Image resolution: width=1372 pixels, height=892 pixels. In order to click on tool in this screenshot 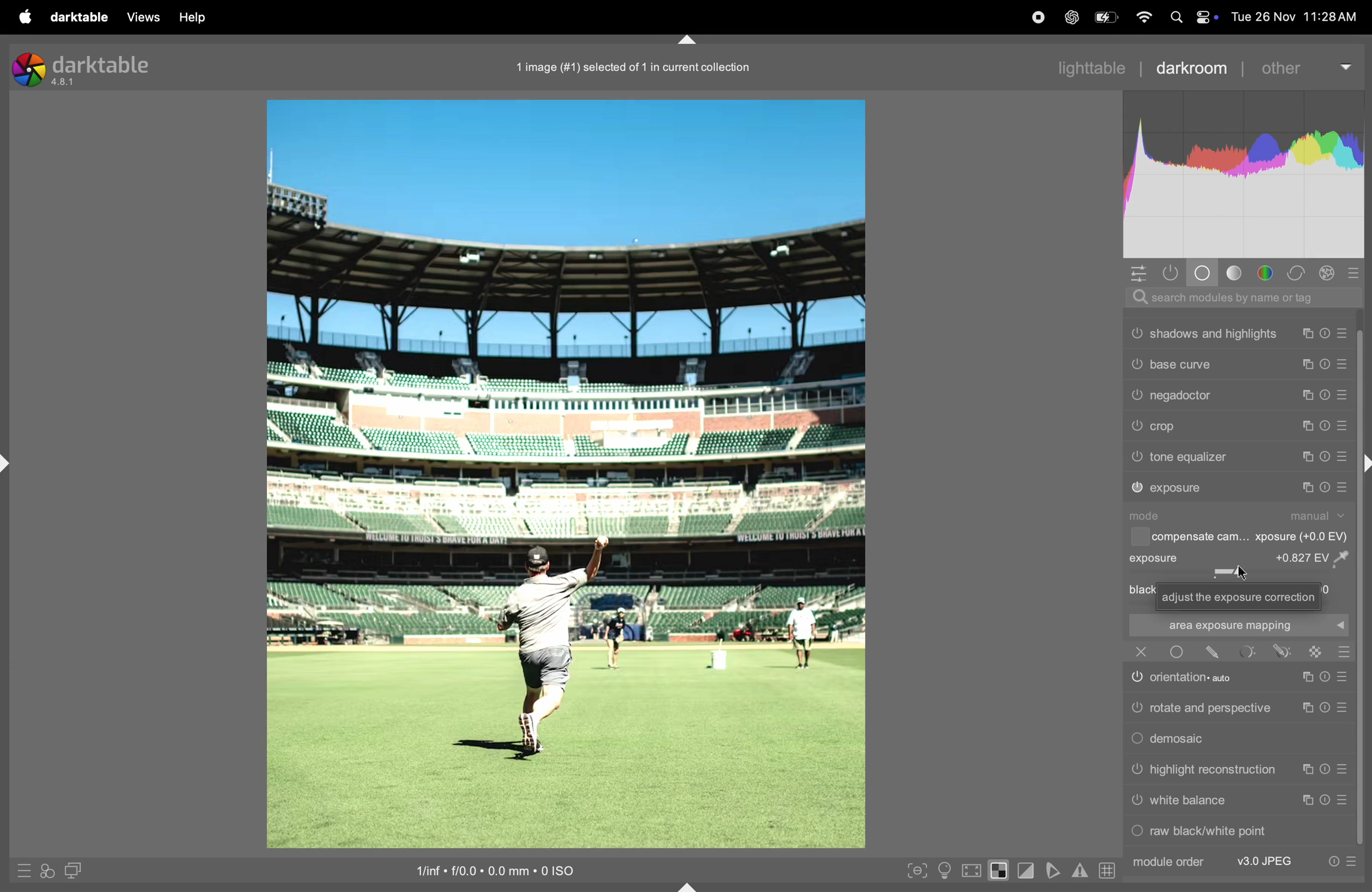, I will do `click(1249, 651)`.